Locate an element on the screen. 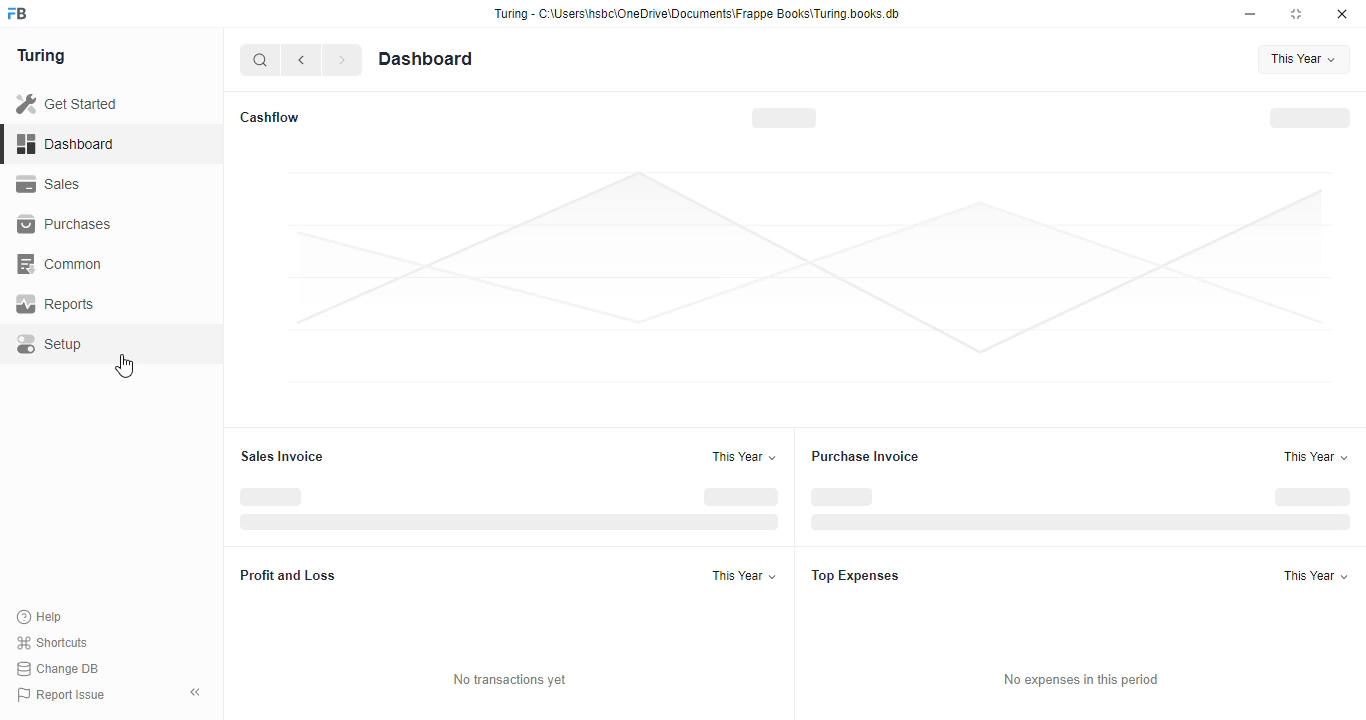 This screenshot has width=1366, height=720. help is located at coordinates (41, 617).